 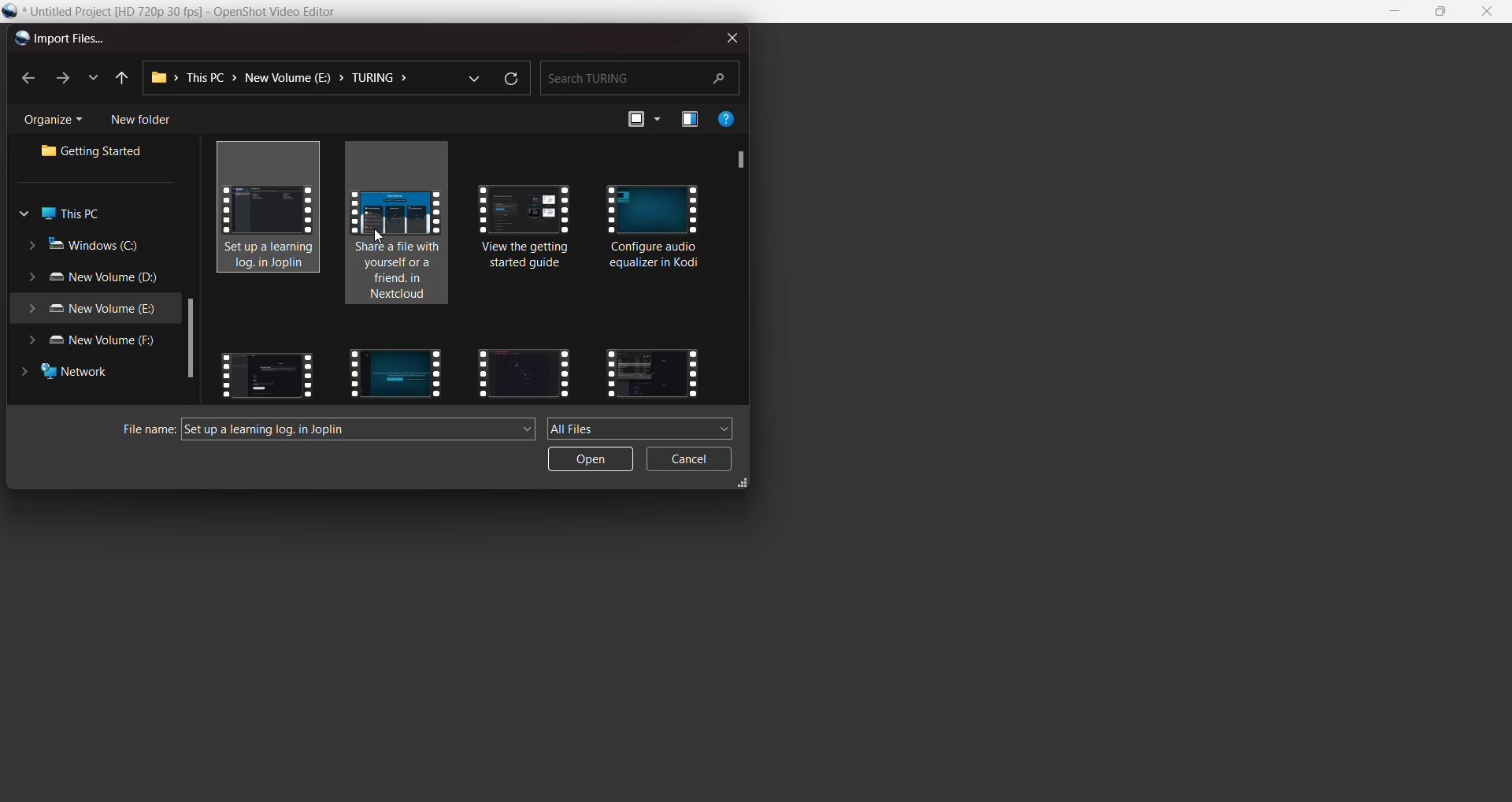 I want to click on this pc, so click(x=65, y=214).